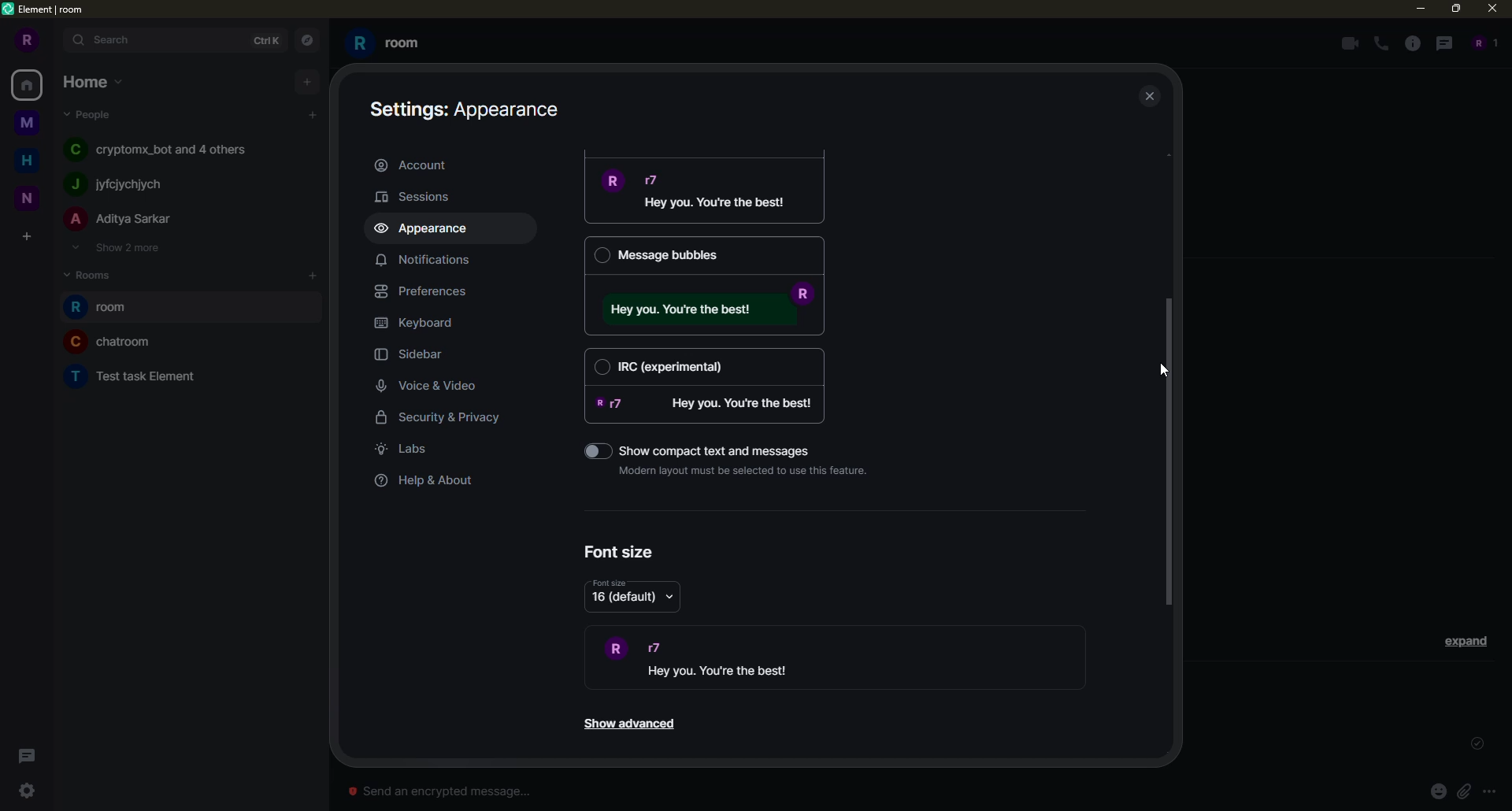 This screenshot has width=1512, height=811. What do you see at coordinates (428, 229) in the screenshot?
I see `appearance` at bounding box center [428, 229].